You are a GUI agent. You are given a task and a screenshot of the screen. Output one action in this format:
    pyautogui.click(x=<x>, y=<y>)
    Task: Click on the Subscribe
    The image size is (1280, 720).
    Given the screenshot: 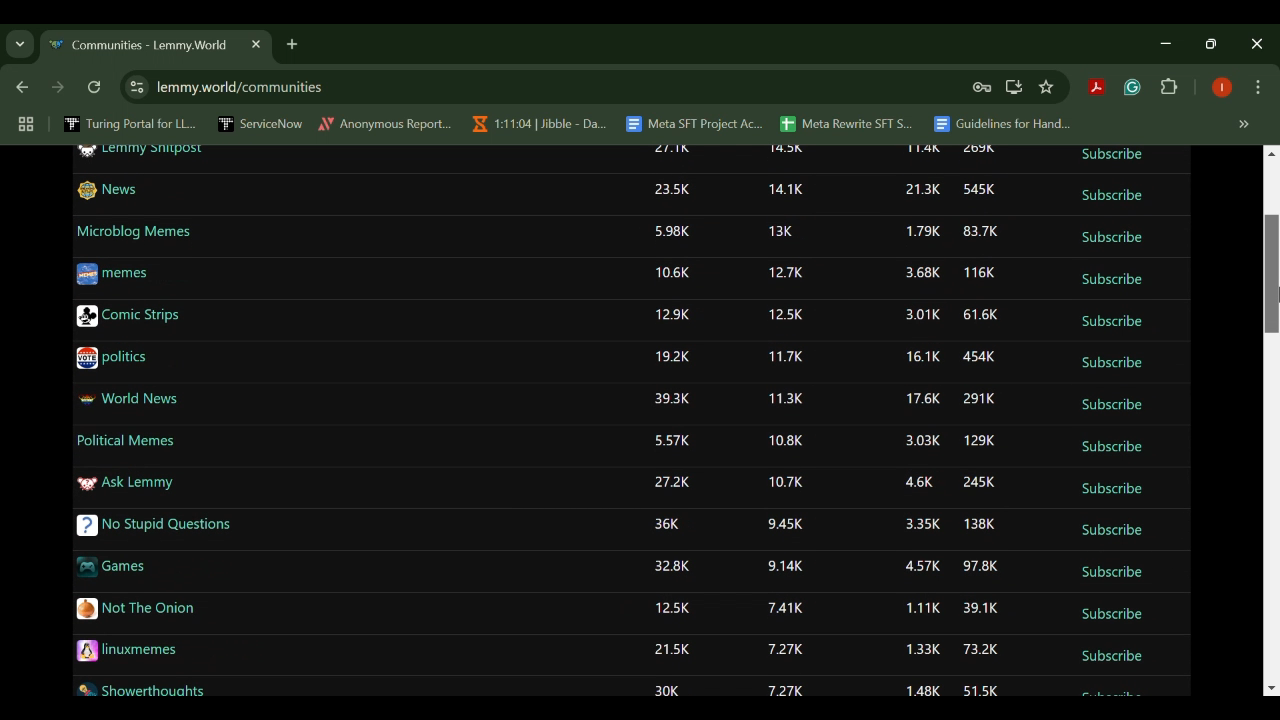 What is the action you would take?
    pyautogui.click(x=1110, y=280)
    